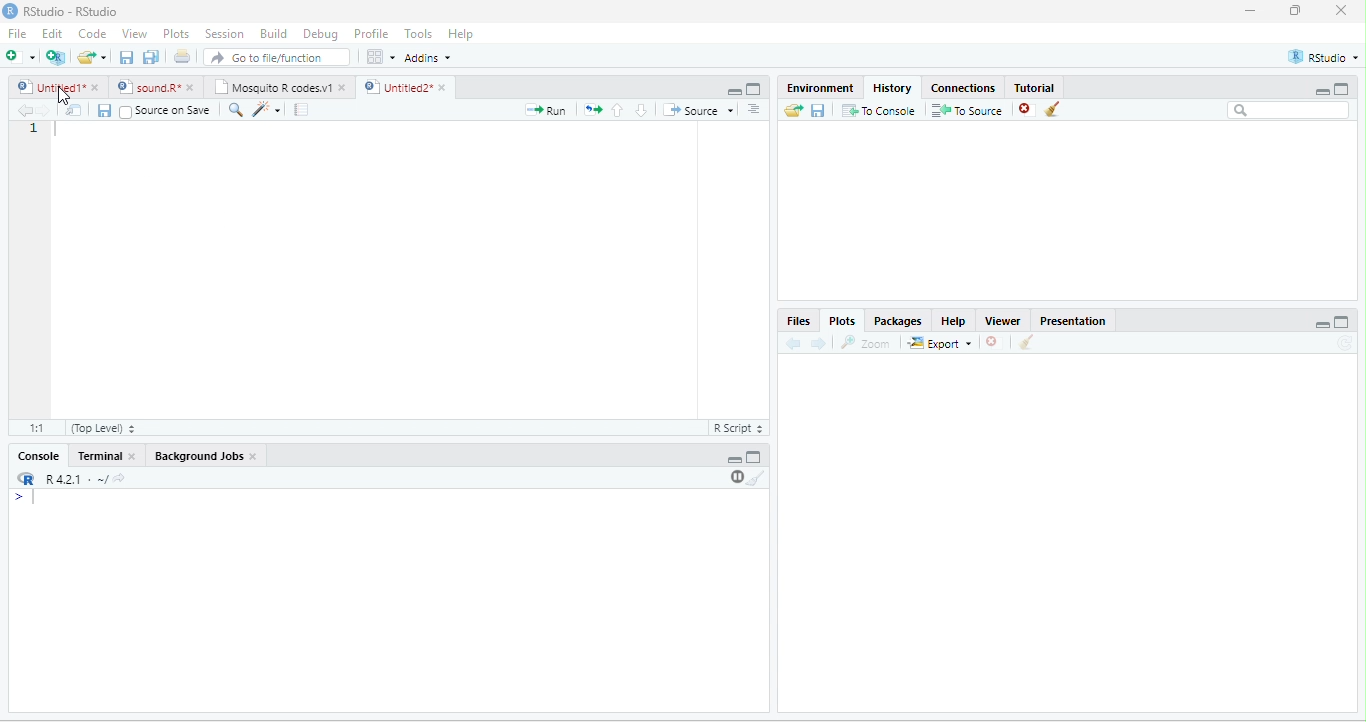 Image resolution: width=1366 pixels, height=722 pixels. Describe the element at coordinates (134, 457) in the screenshot. I see `close` at that location.